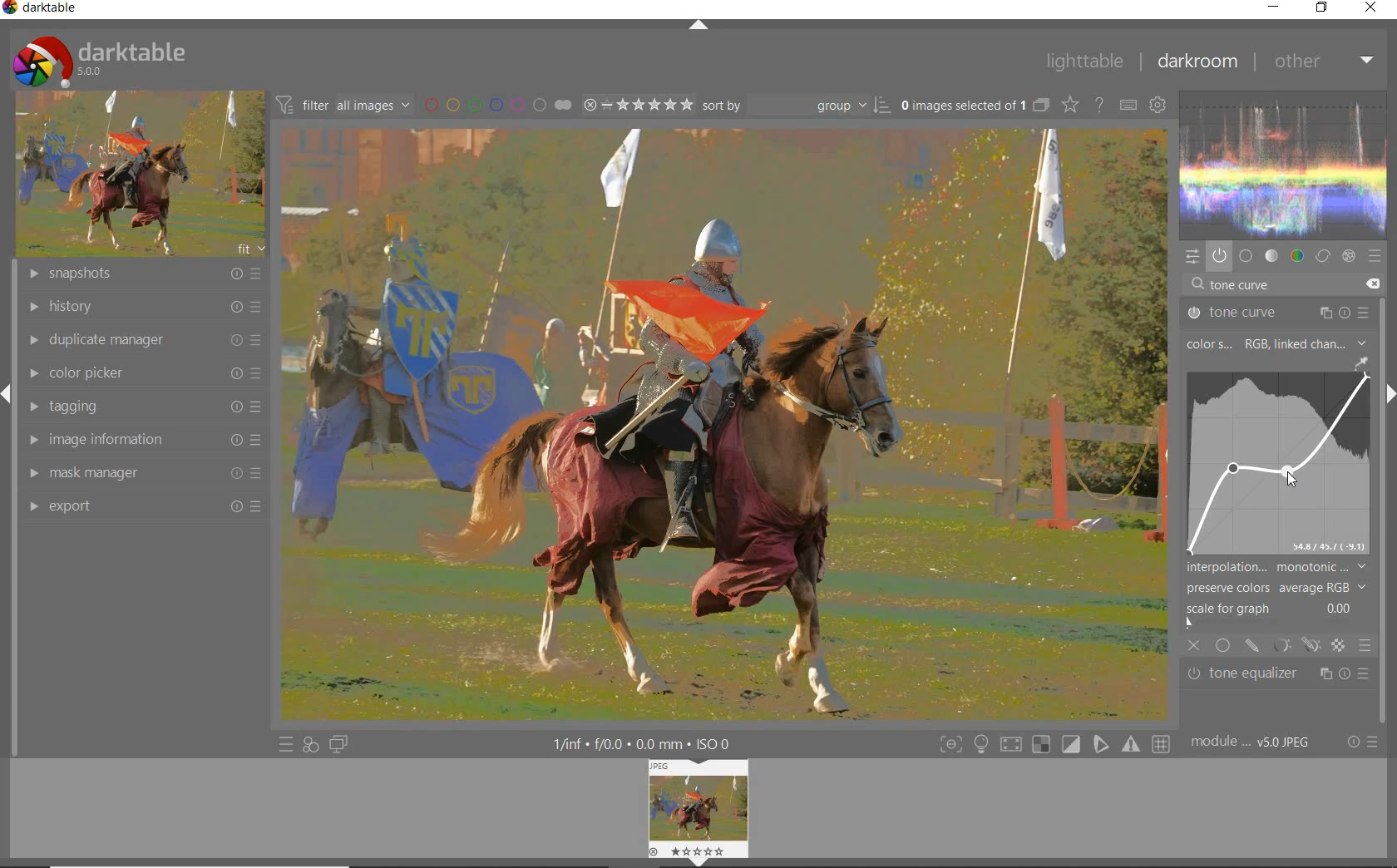 The height and width of the screenshot is (868, 1397). I want to click on 1/fnf f/0.0 0.0 mm ISO 0, so click(649, 737).